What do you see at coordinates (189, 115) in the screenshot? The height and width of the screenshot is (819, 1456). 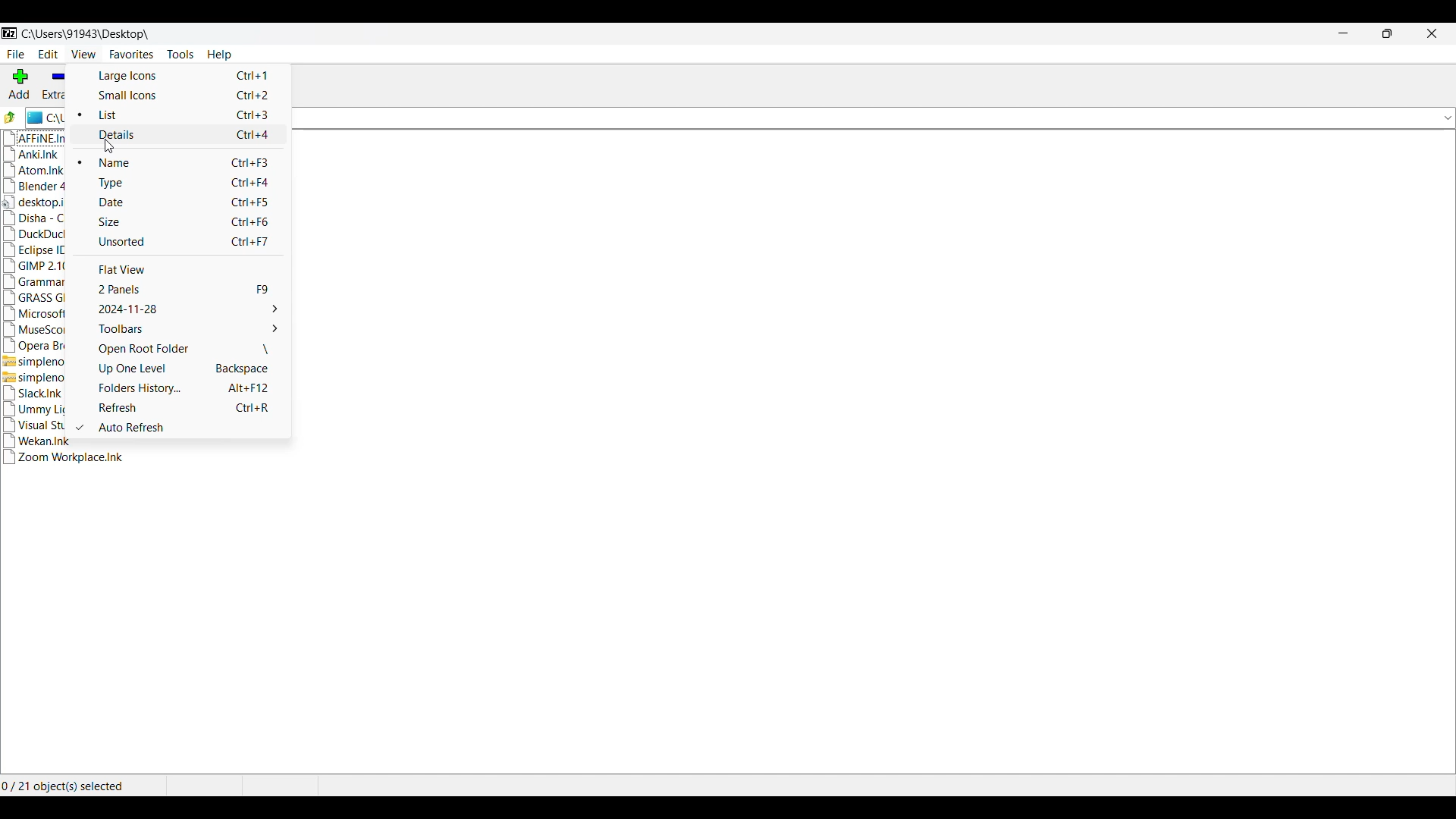 I see `List` at bounding box center [189, 115].